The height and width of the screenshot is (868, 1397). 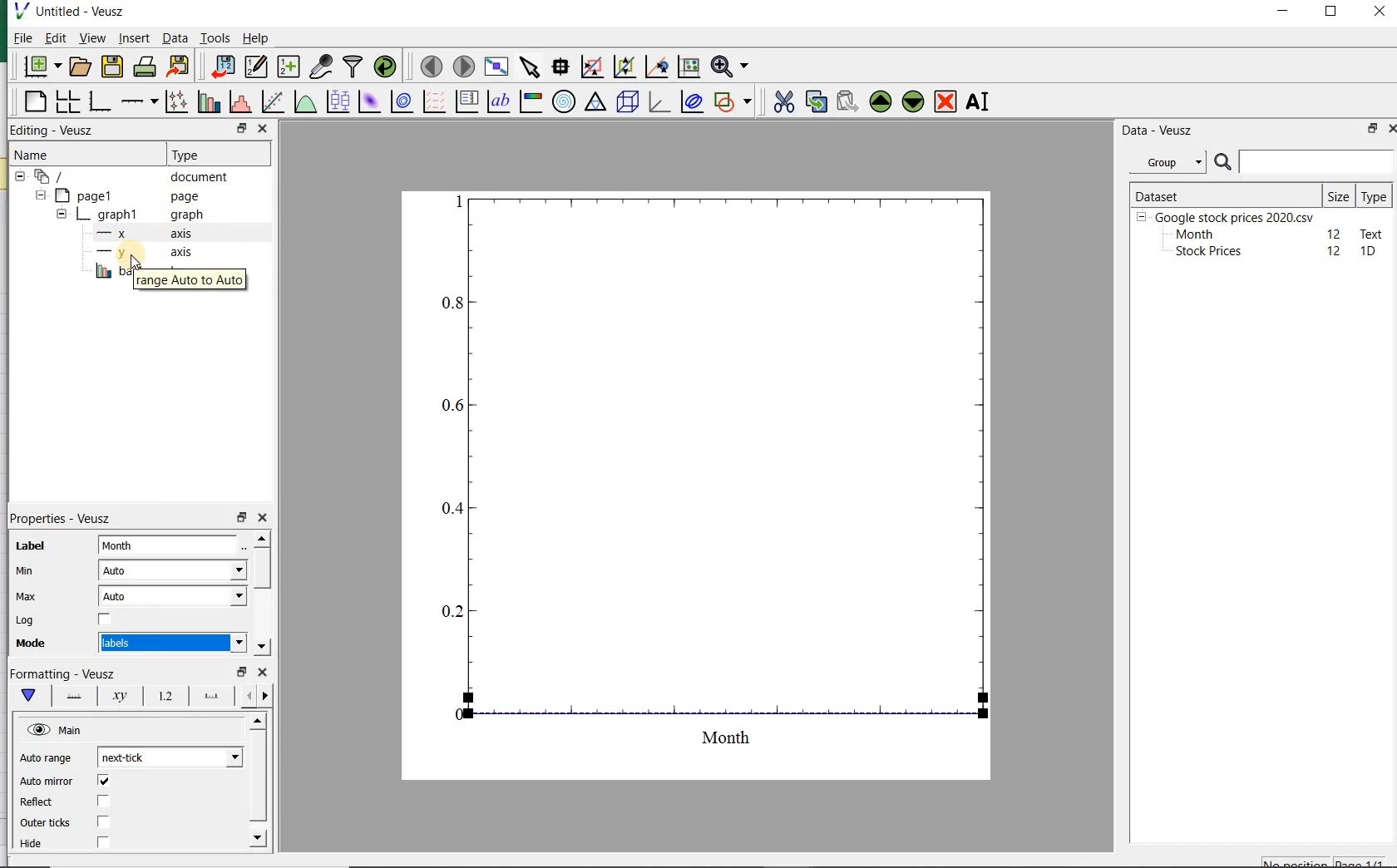 I want to click on add an axis to the plot, so click(x=138, y=103).